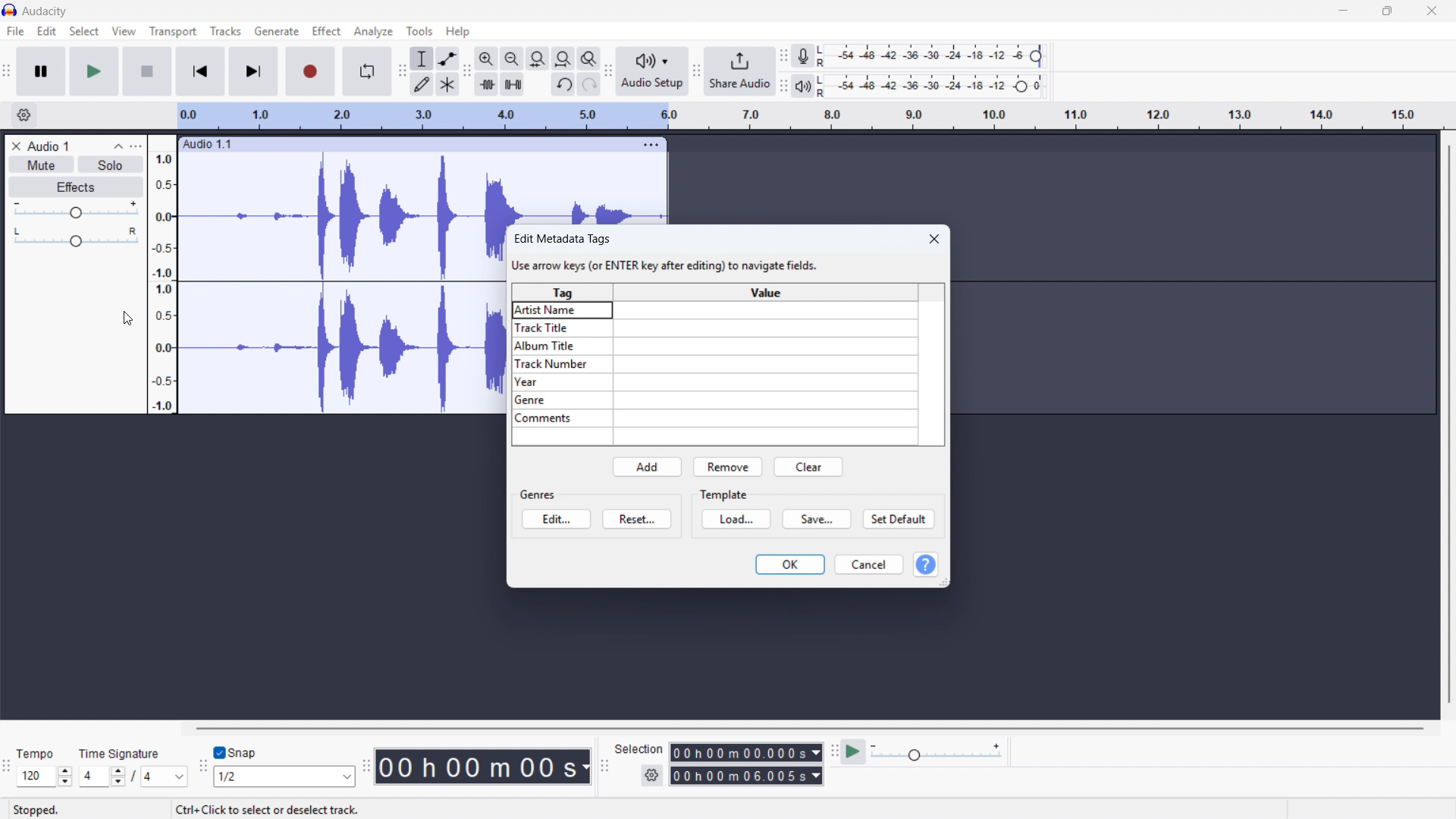  Describe the element at coordinates (714, 364) in the screenshot. I see `track number` at that location.